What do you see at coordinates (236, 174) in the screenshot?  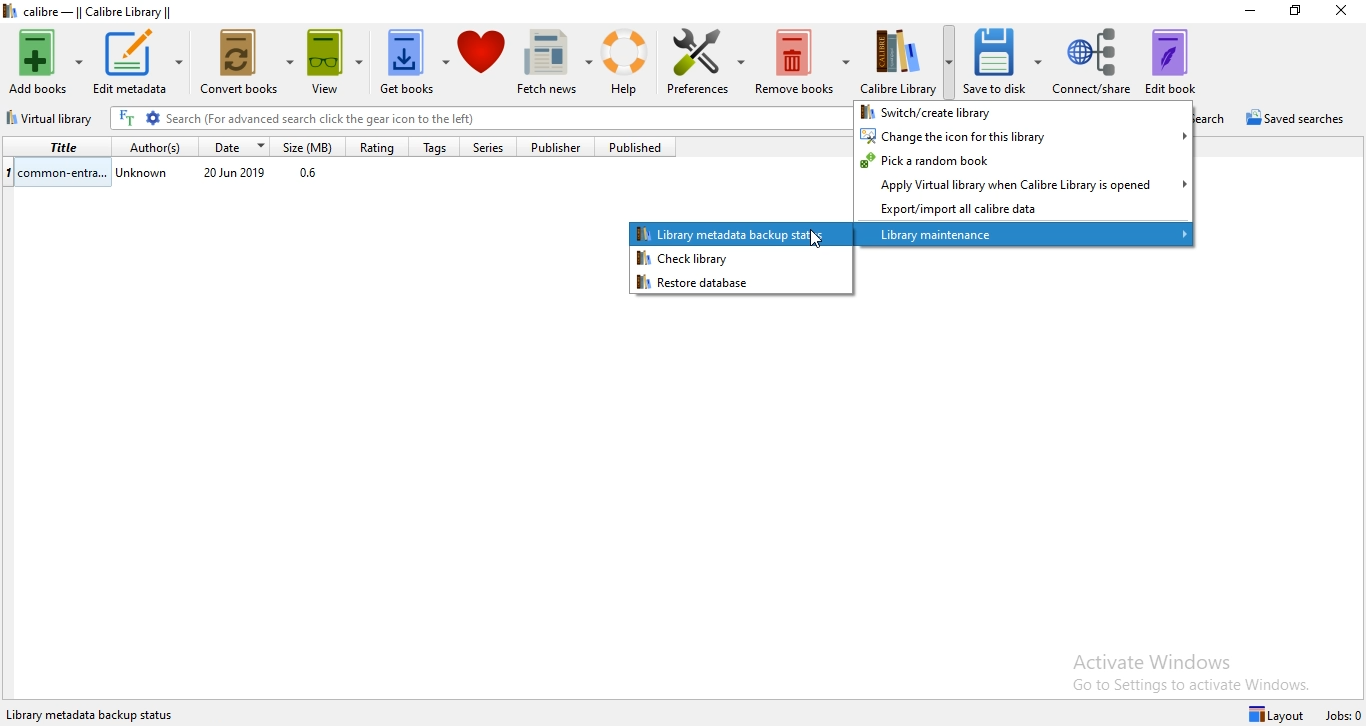 I see `20 Jun 2019` at bounding box center [236, 174].